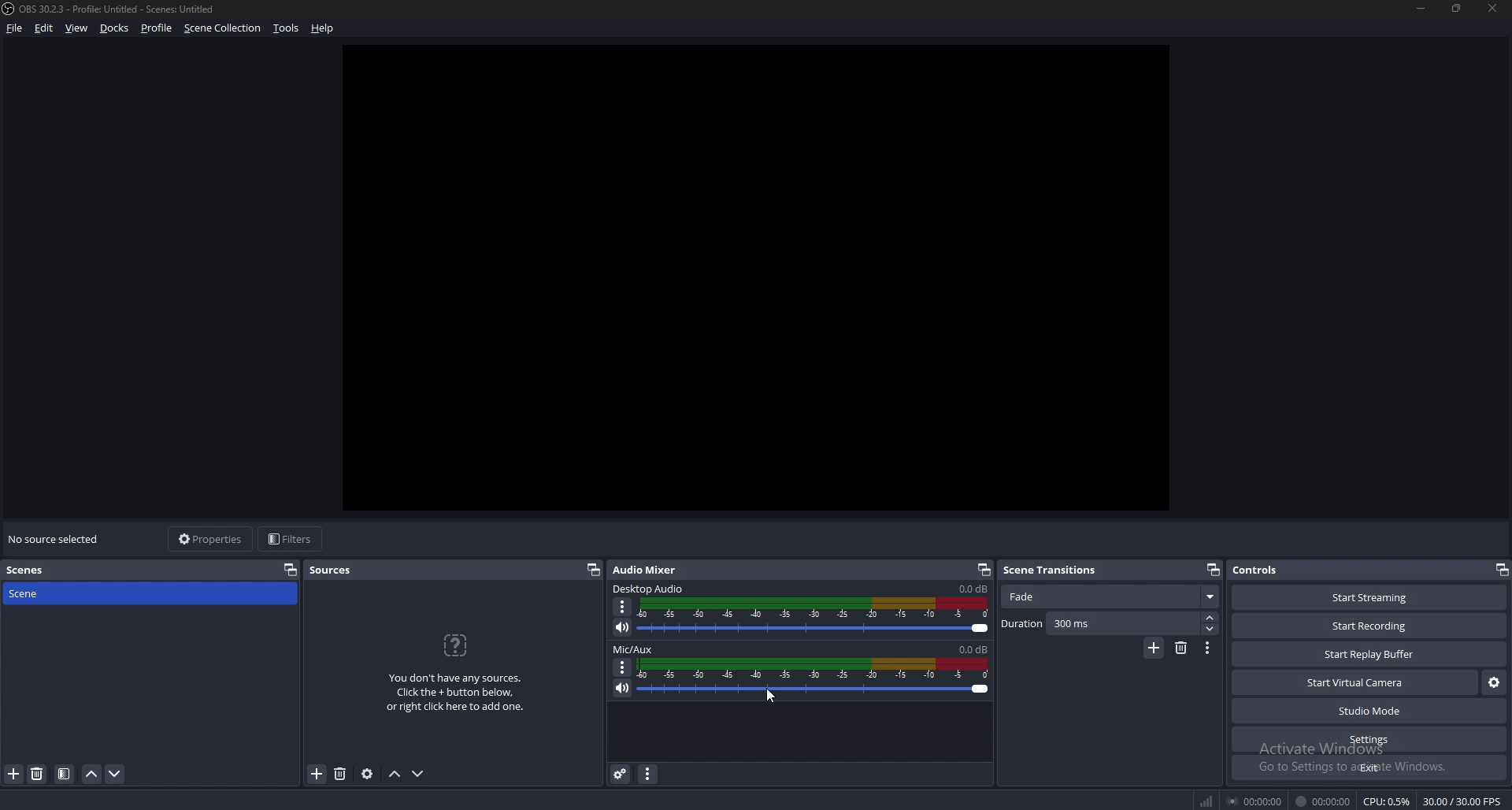 Image resolution: width=1512 pixels, height=810 pixels. What do you see at coordinates (114, 28) in the screenshot?
I see `docks` at bounding box center [114, 28].